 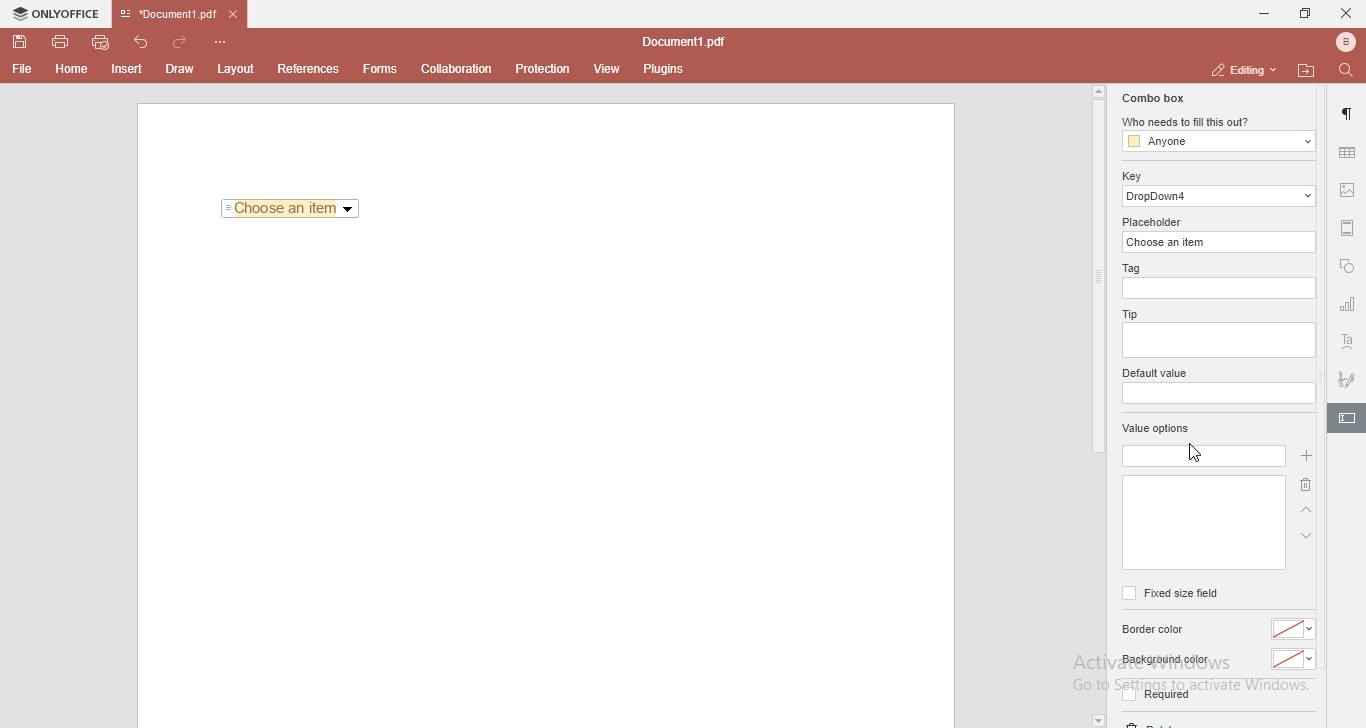 What do you see at coordinates (380, 69) in the screenshot?
I see `forms` at bounding box center [380, 69].